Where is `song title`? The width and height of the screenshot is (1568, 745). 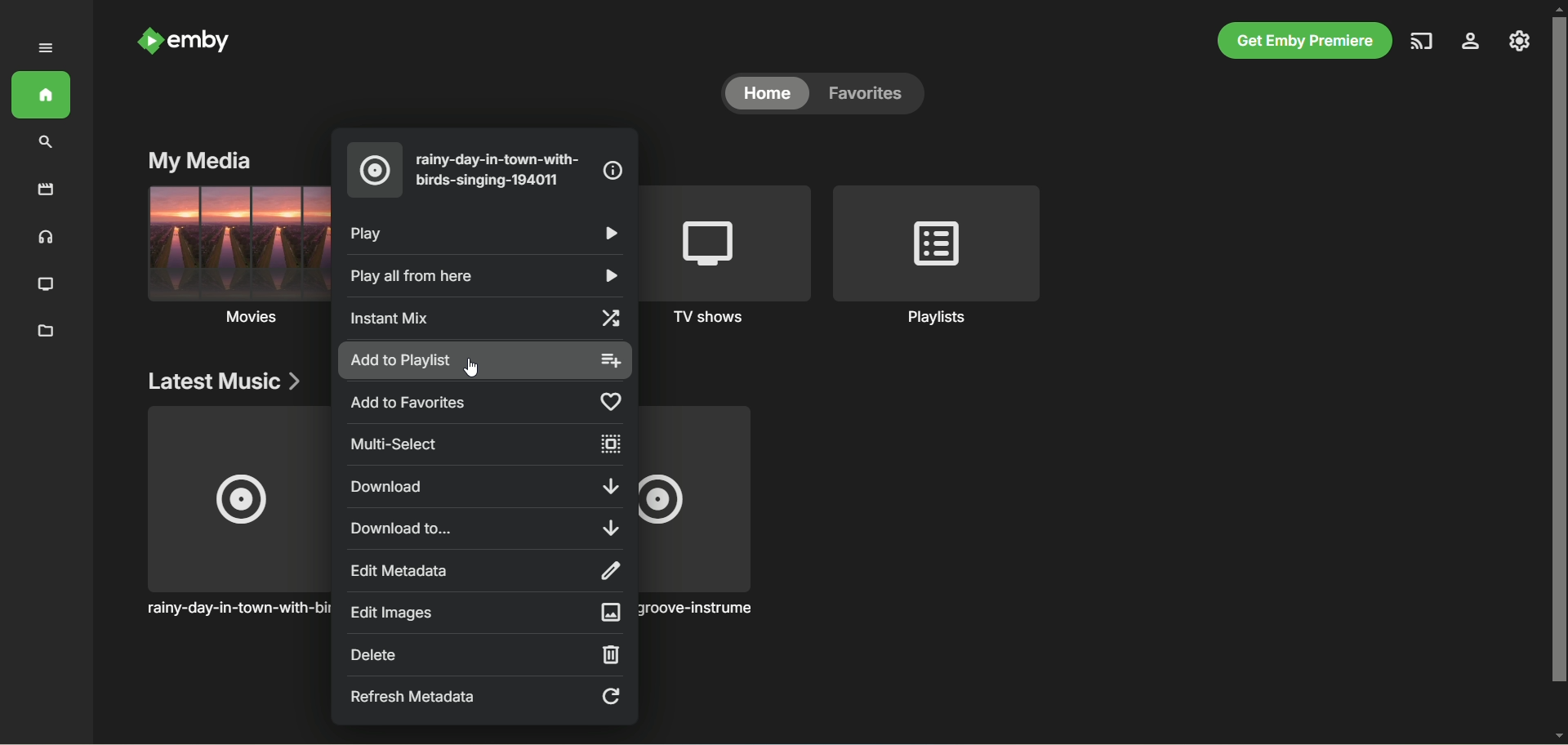
song title is located at coordinates (498, 170).